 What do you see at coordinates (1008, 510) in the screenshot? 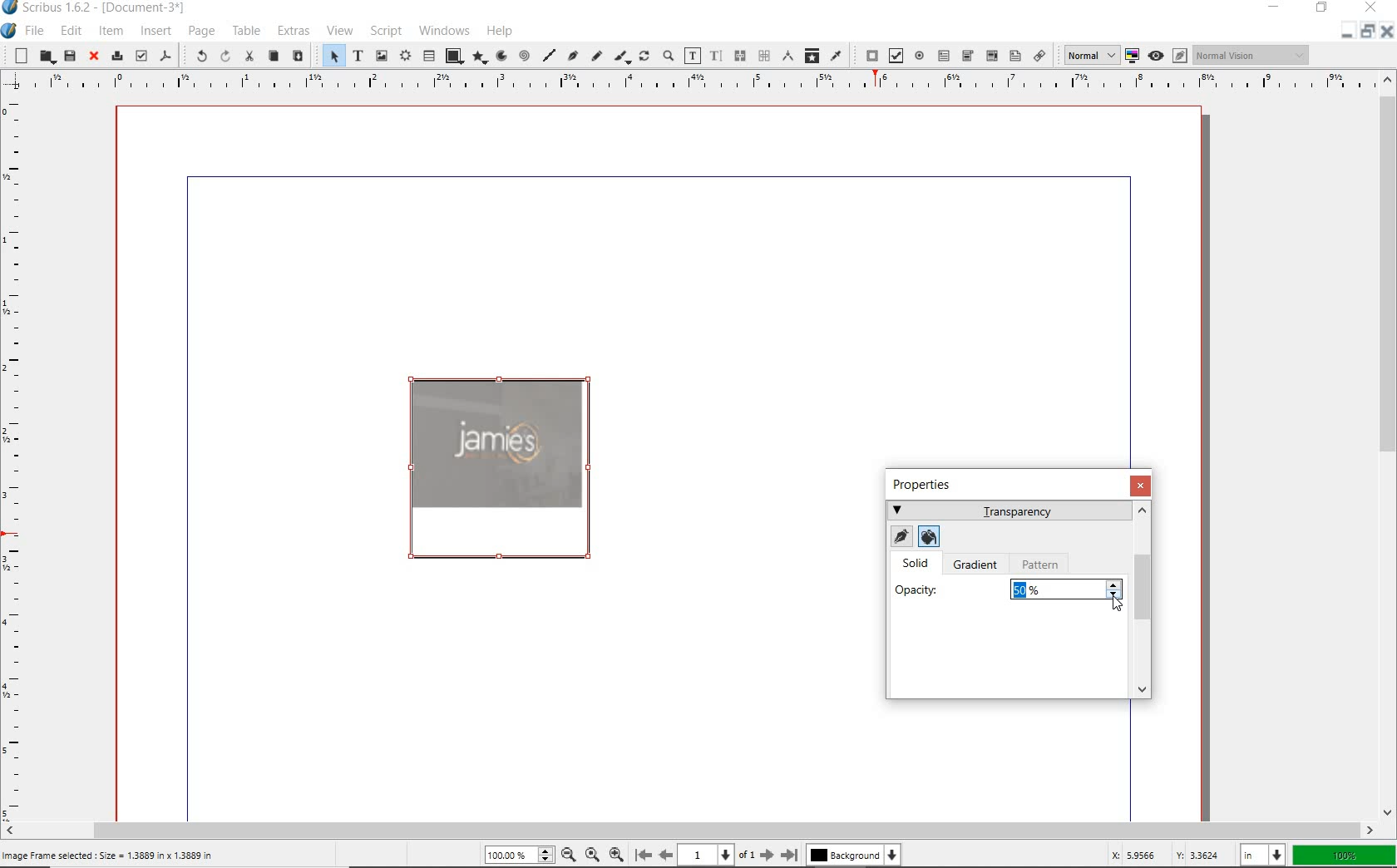
I see `TRANSPARENCY` at bounding box center [1008, 510].